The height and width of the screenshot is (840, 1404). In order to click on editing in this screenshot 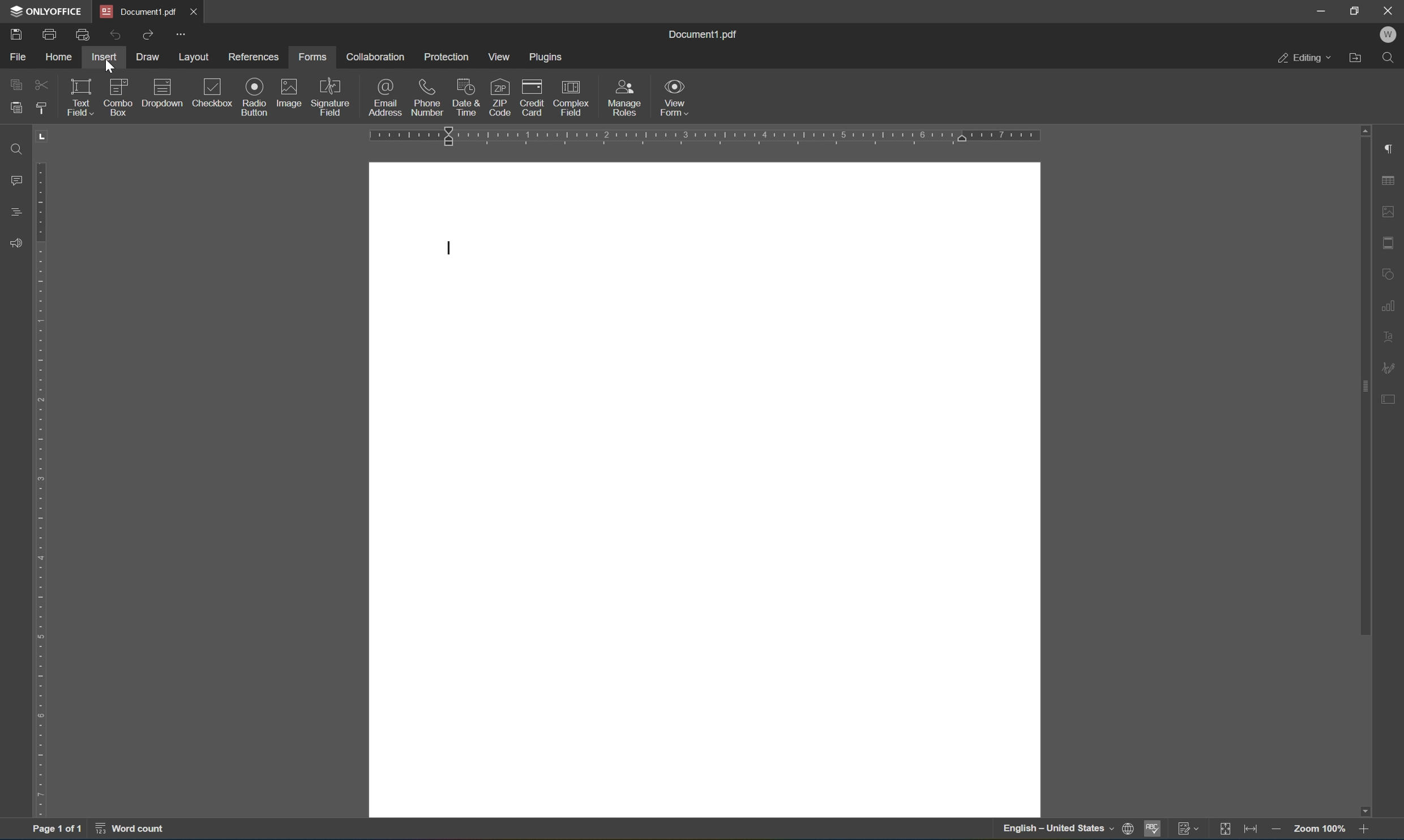, I will do `click(1304, 57)`.